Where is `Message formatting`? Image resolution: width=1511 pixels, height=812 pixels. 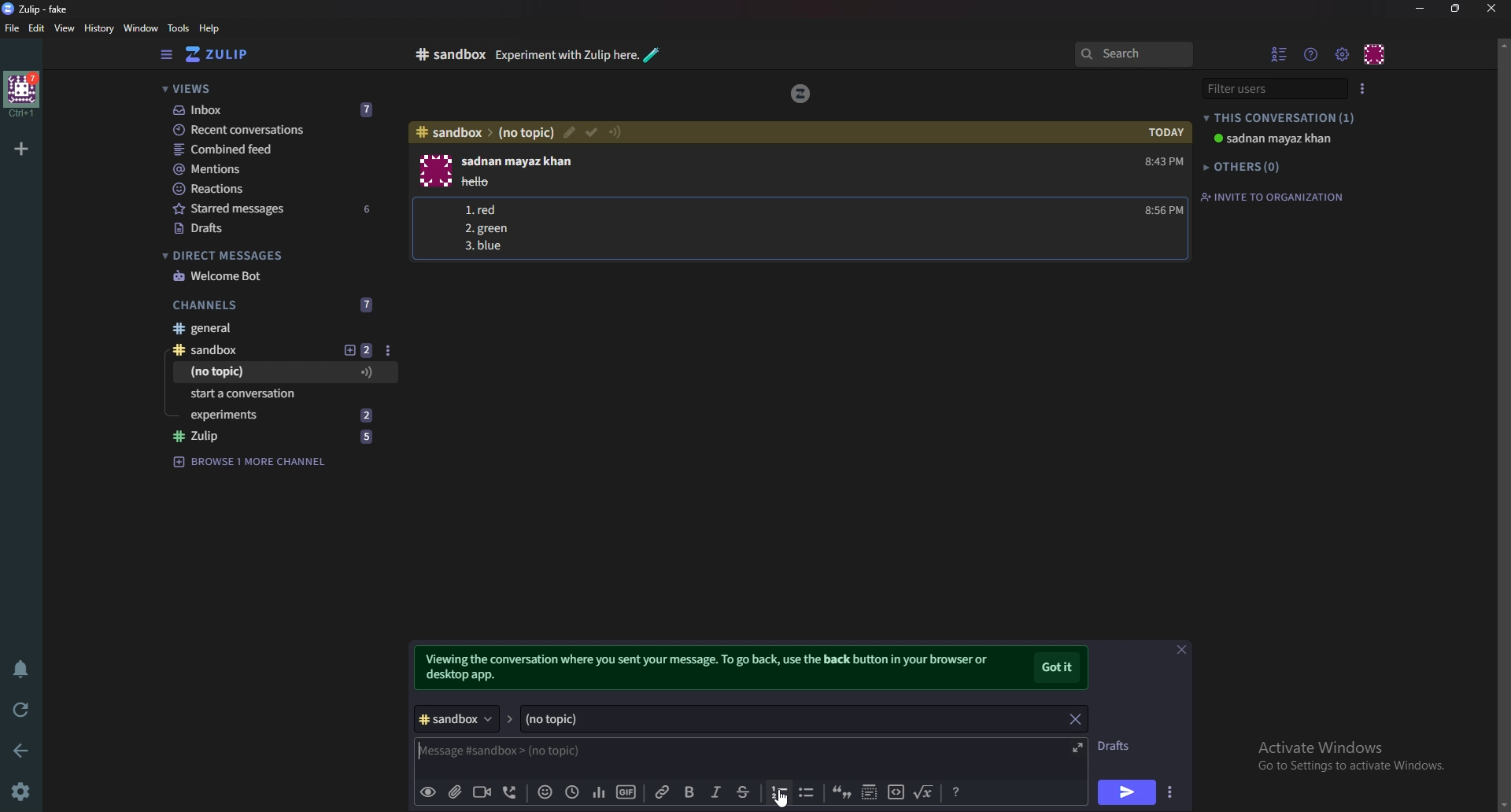 Message formatting is located at coordinates (955, 792).